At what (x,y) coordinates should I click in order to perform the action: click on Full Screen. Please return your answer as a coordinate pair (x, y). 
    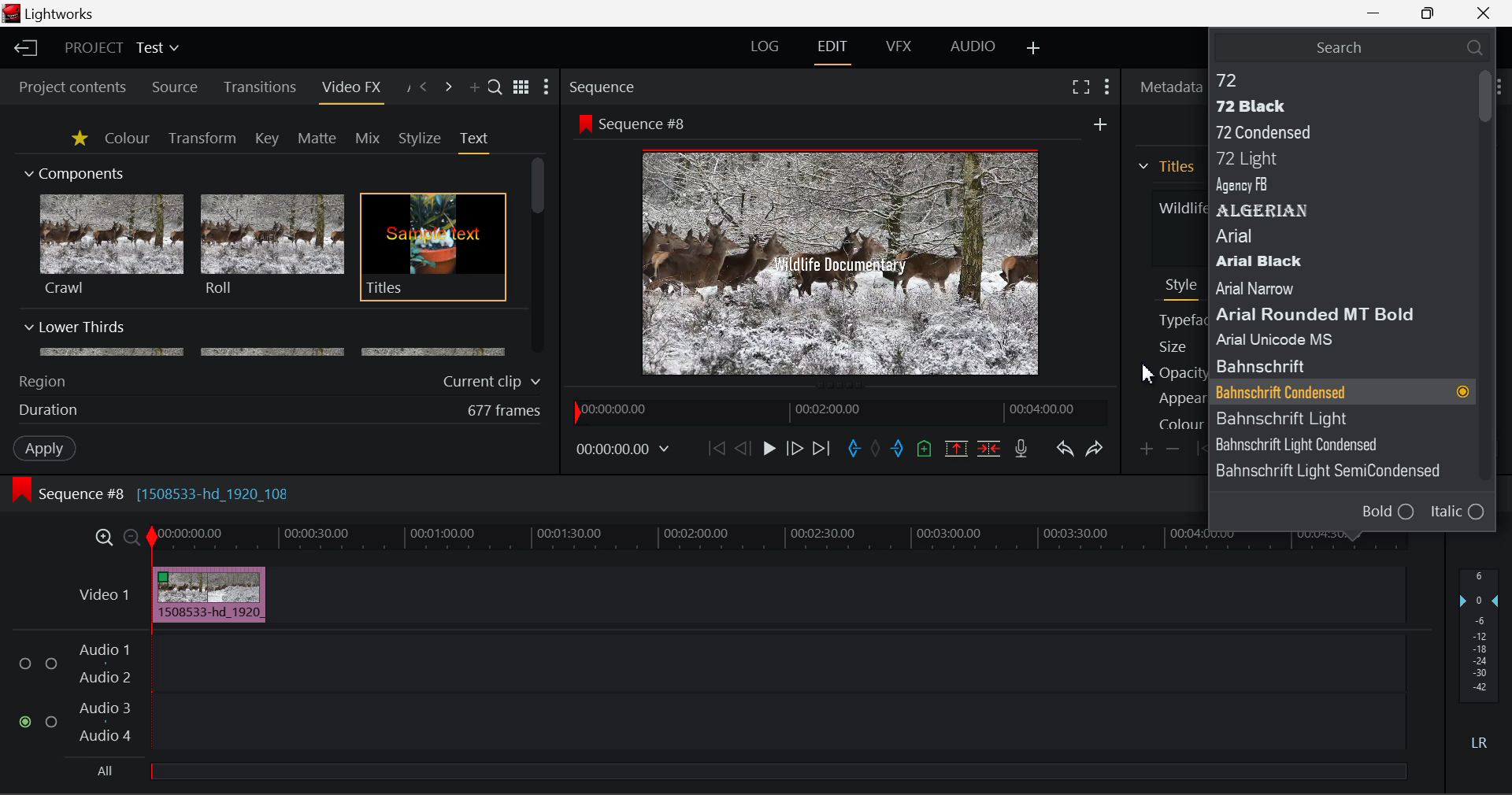
    Looking at the image, I should click on (1081, 86).